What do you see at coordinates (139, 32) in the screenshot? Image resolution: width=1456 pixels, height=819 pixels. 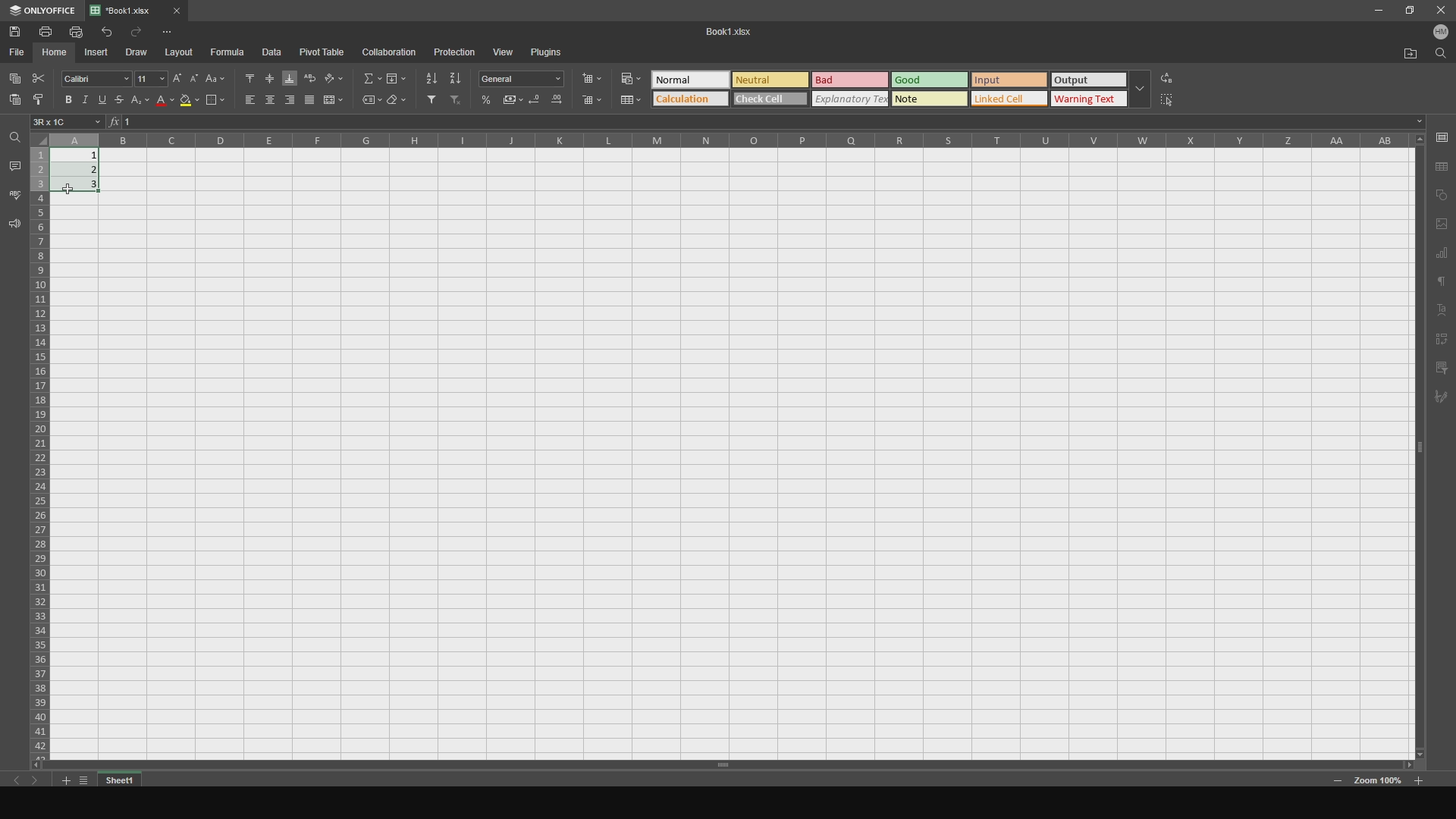 I see `redo` at bounding box center [139, 32].